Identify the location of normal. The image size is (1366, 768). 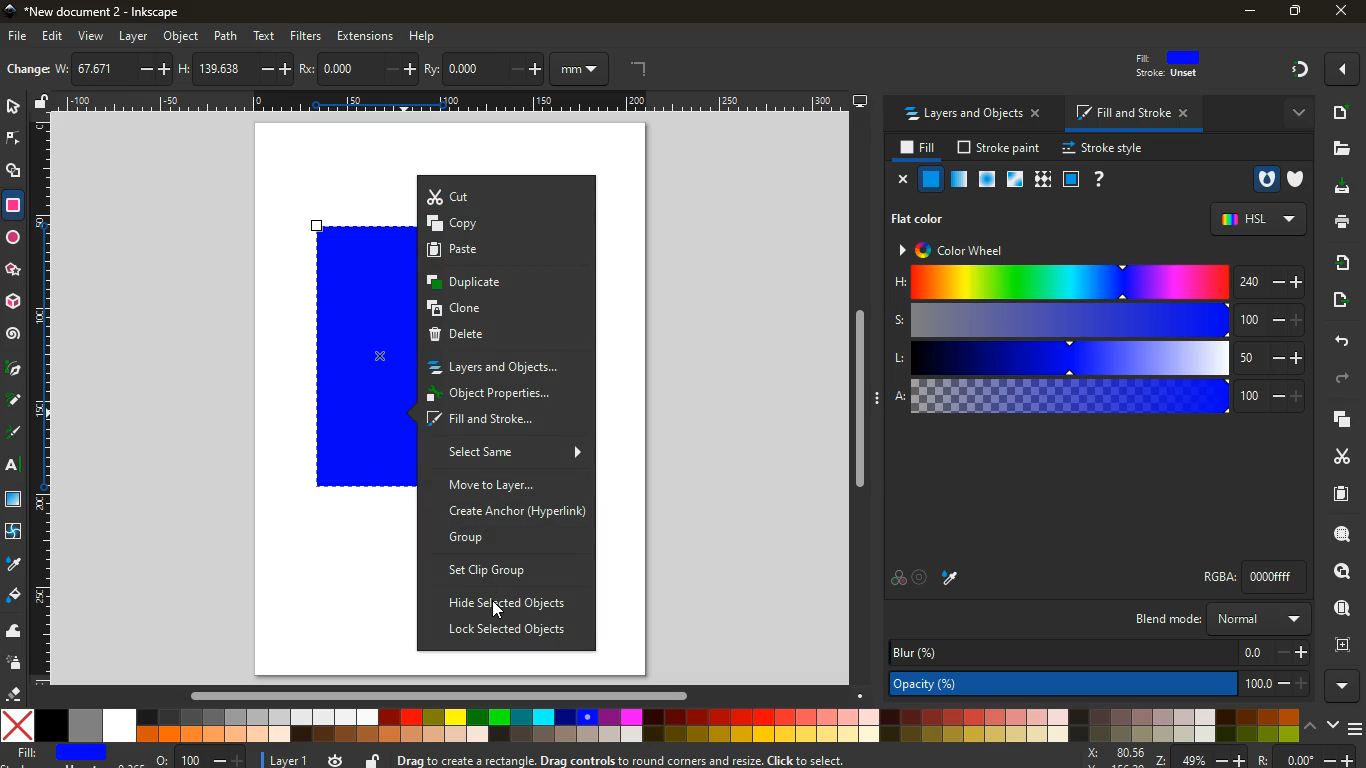
(930, 179).